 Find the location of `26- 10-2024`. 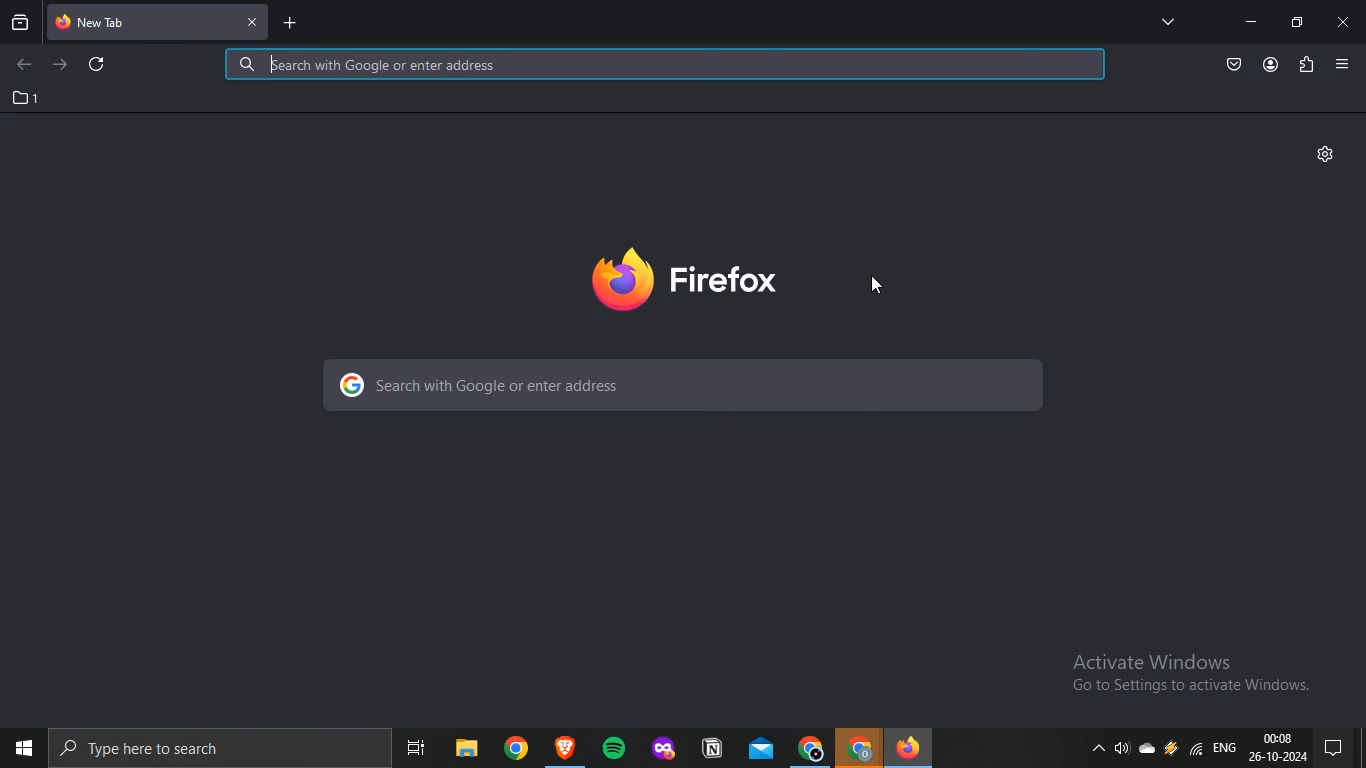

26- 10-2024 is located at coordinates (1280, 758).